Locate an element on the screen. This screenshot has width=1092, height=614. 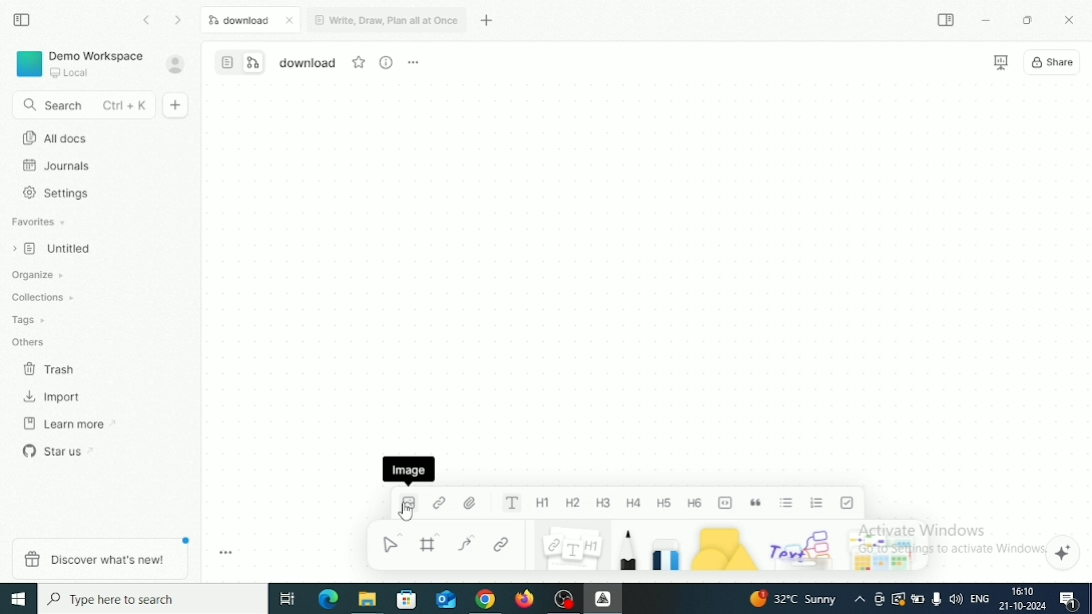
Curve is located at coordinates (470, 543).